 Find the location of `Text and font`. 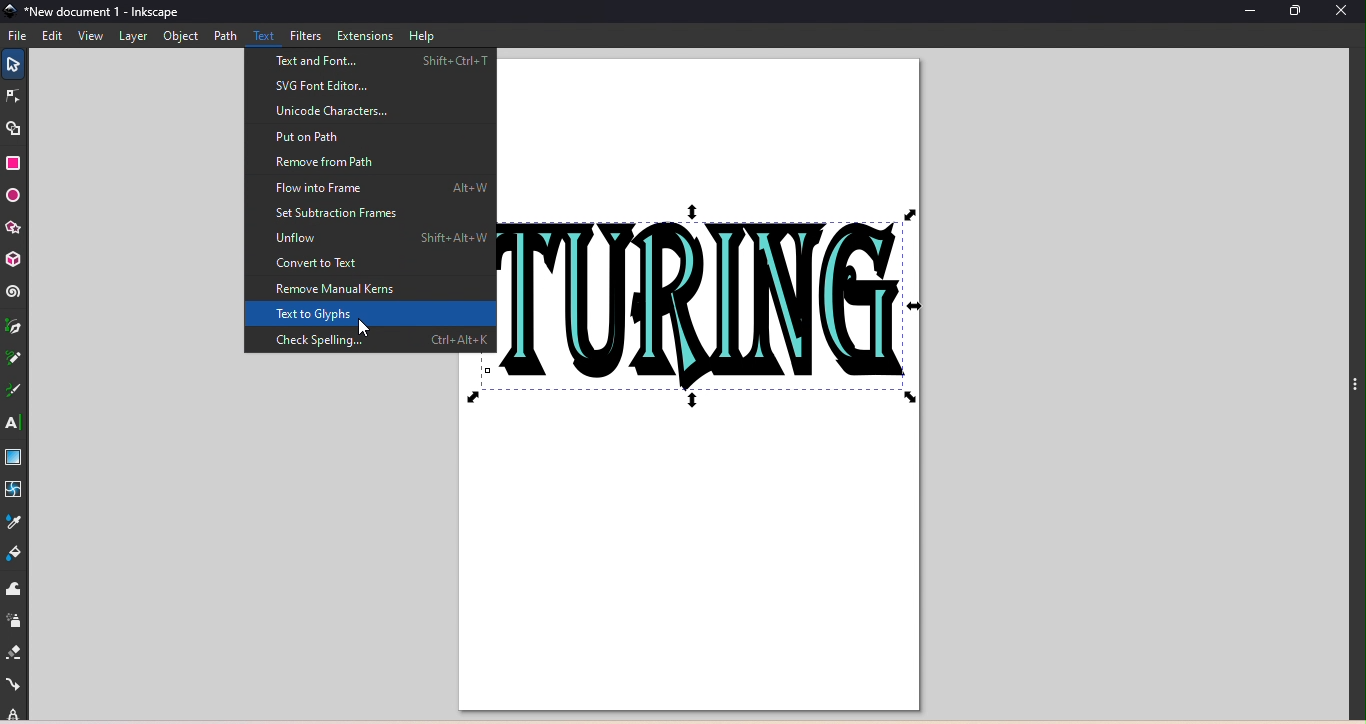

Text and font is located at coordinates (372, 63).